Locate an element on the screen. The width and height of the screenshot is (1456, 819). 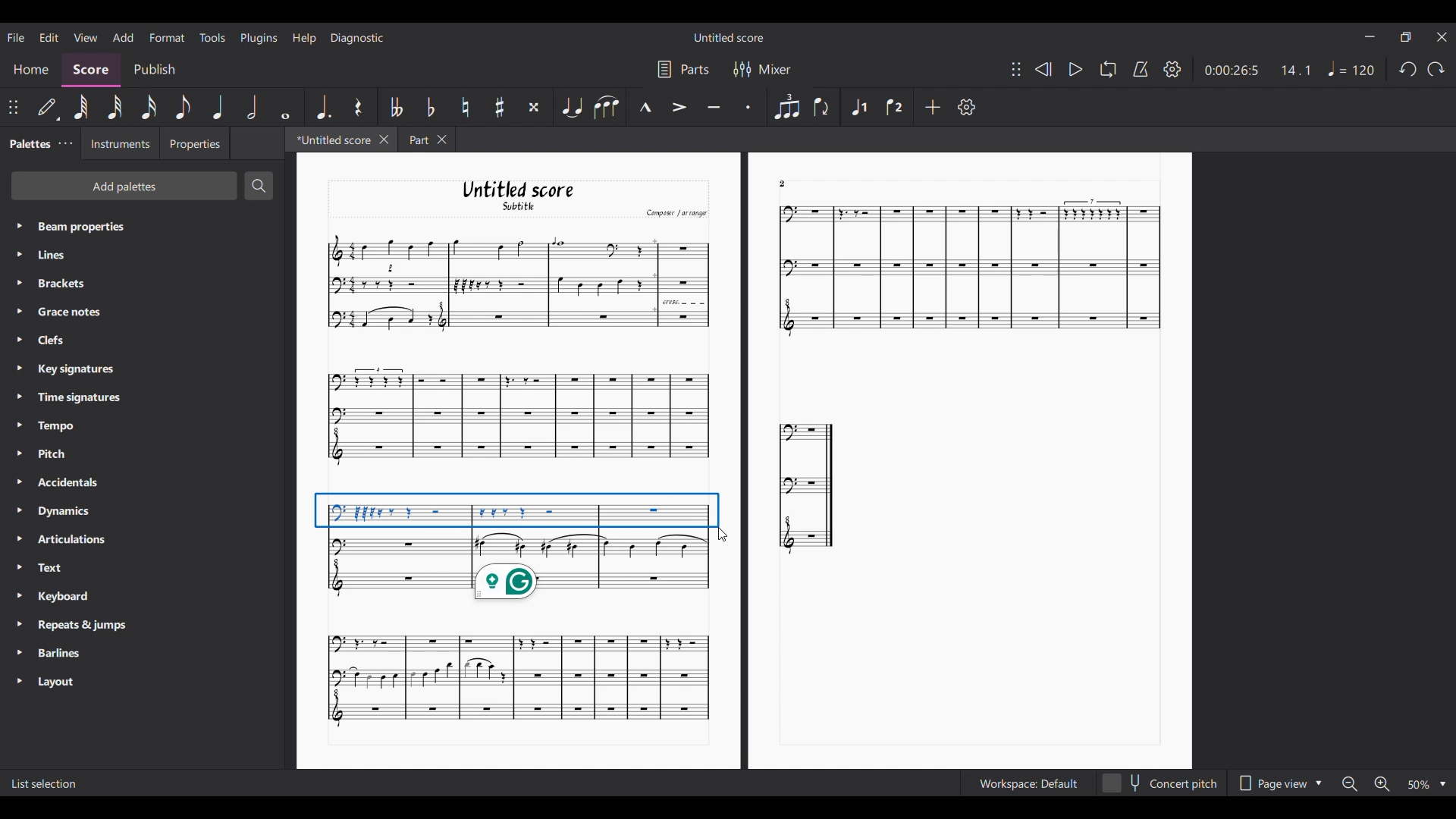
Slur is located at coordinates (607, 108).